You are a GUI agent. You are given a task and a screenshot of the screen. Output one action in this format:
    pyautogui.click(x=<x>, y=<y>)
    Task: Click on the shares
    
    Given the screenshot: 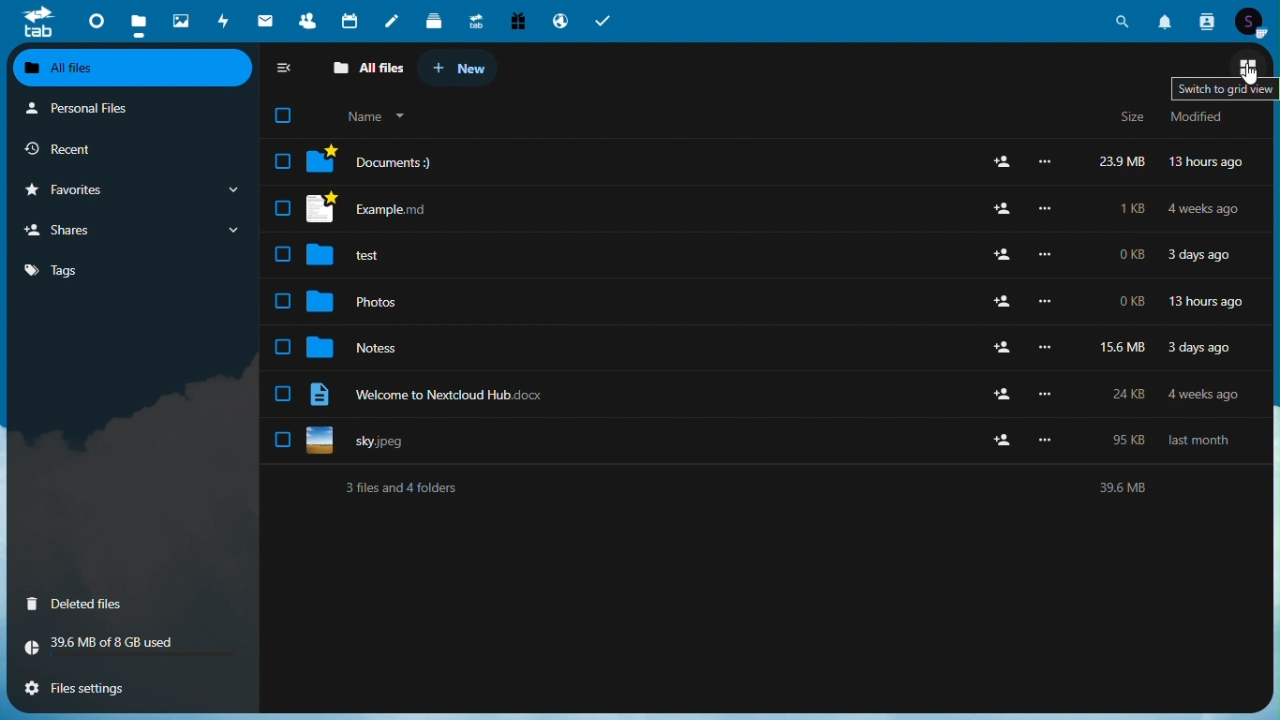 What is the action you would take?
    pyautogui.click(x=129, y=229)
    